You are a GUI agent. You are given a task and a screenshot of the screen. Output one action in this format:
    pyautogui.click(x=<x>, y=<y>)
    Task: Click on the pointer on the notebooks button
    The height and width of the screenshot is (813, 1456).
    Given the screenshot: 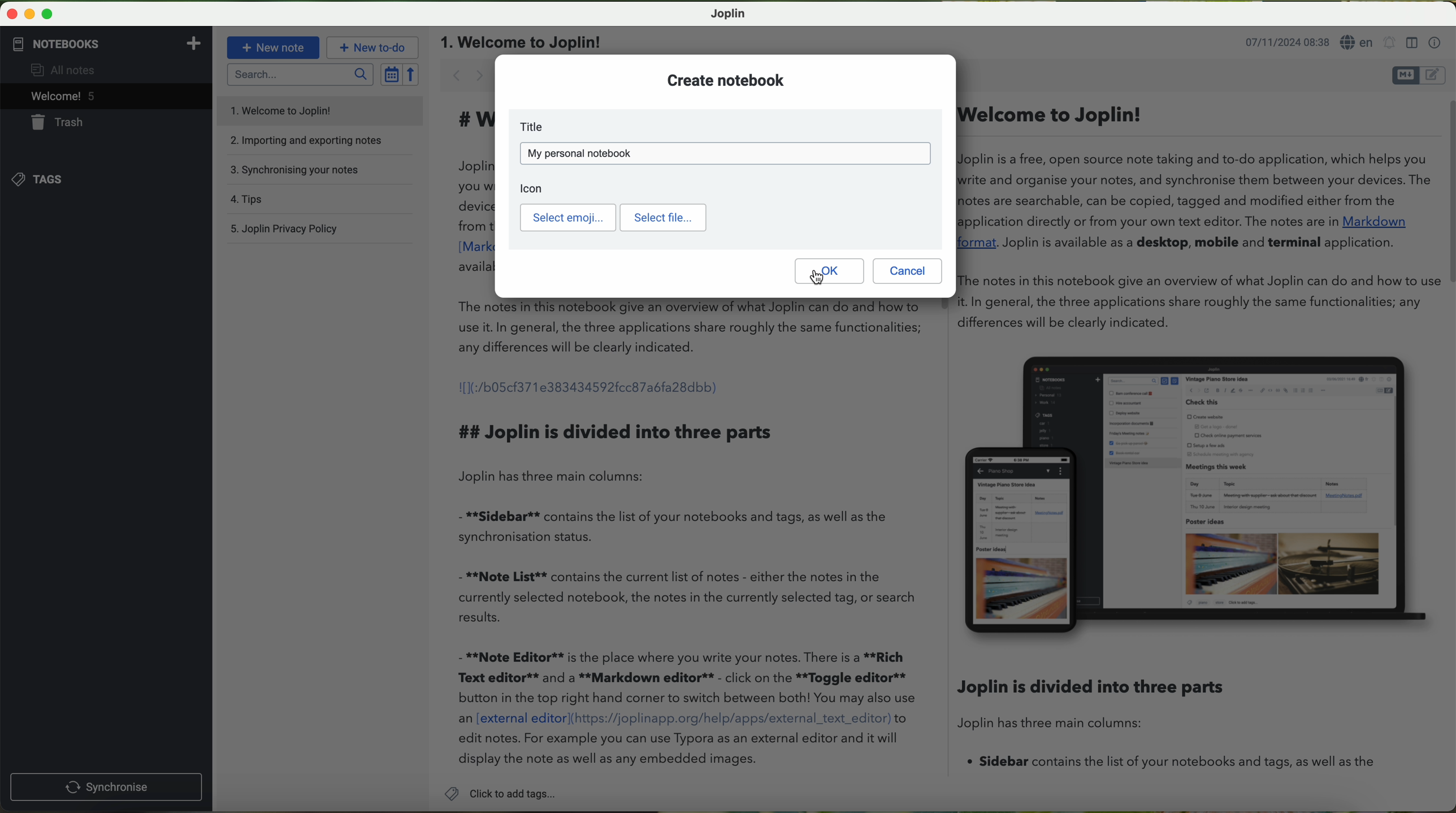 What is the action you would take?
    pyautogui.click(x=75, y=44)
    